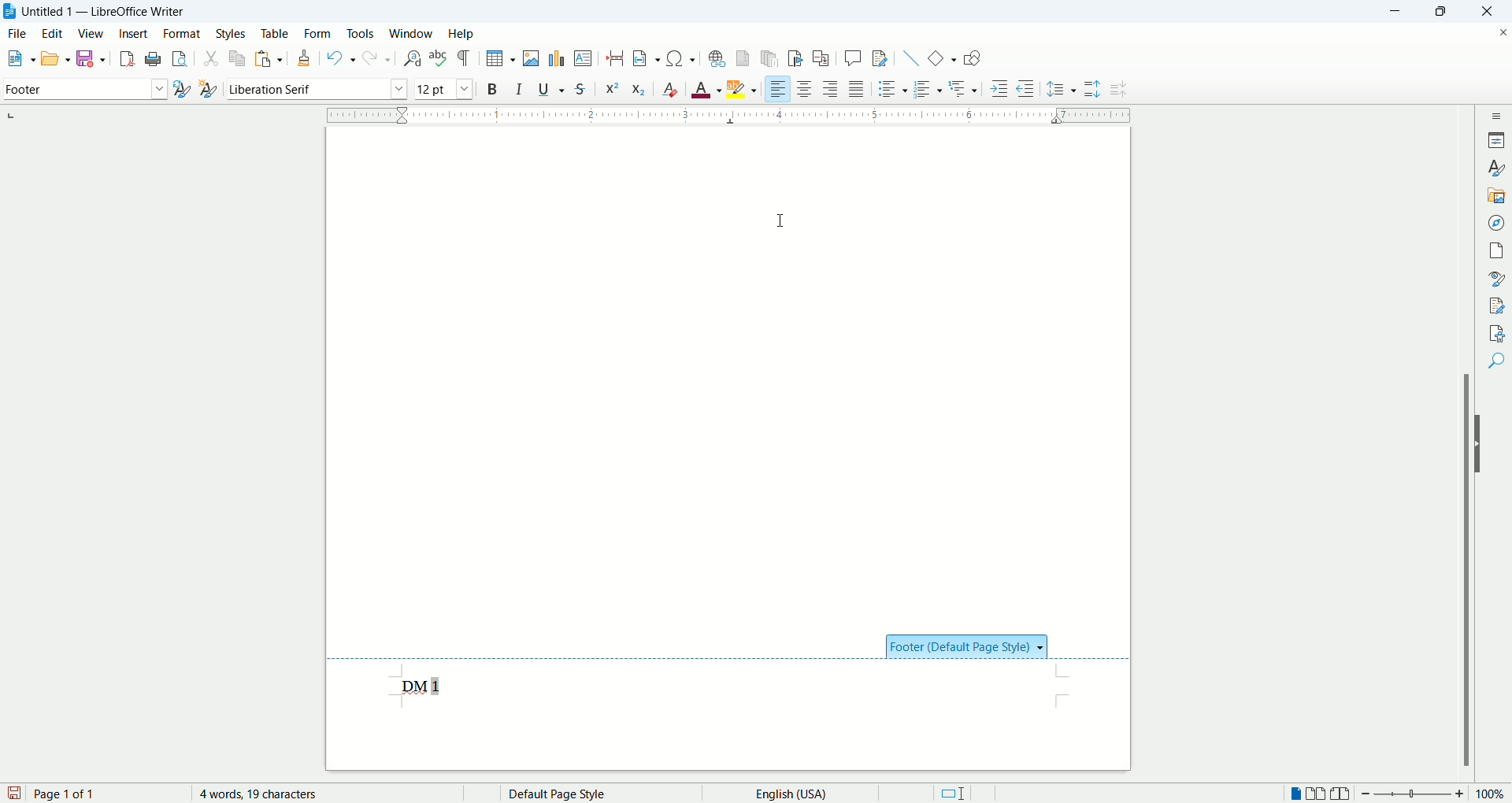  What do you see at coordinates (93, 57) in the screenshot?
I see `save` at bounding box center [93, 57].